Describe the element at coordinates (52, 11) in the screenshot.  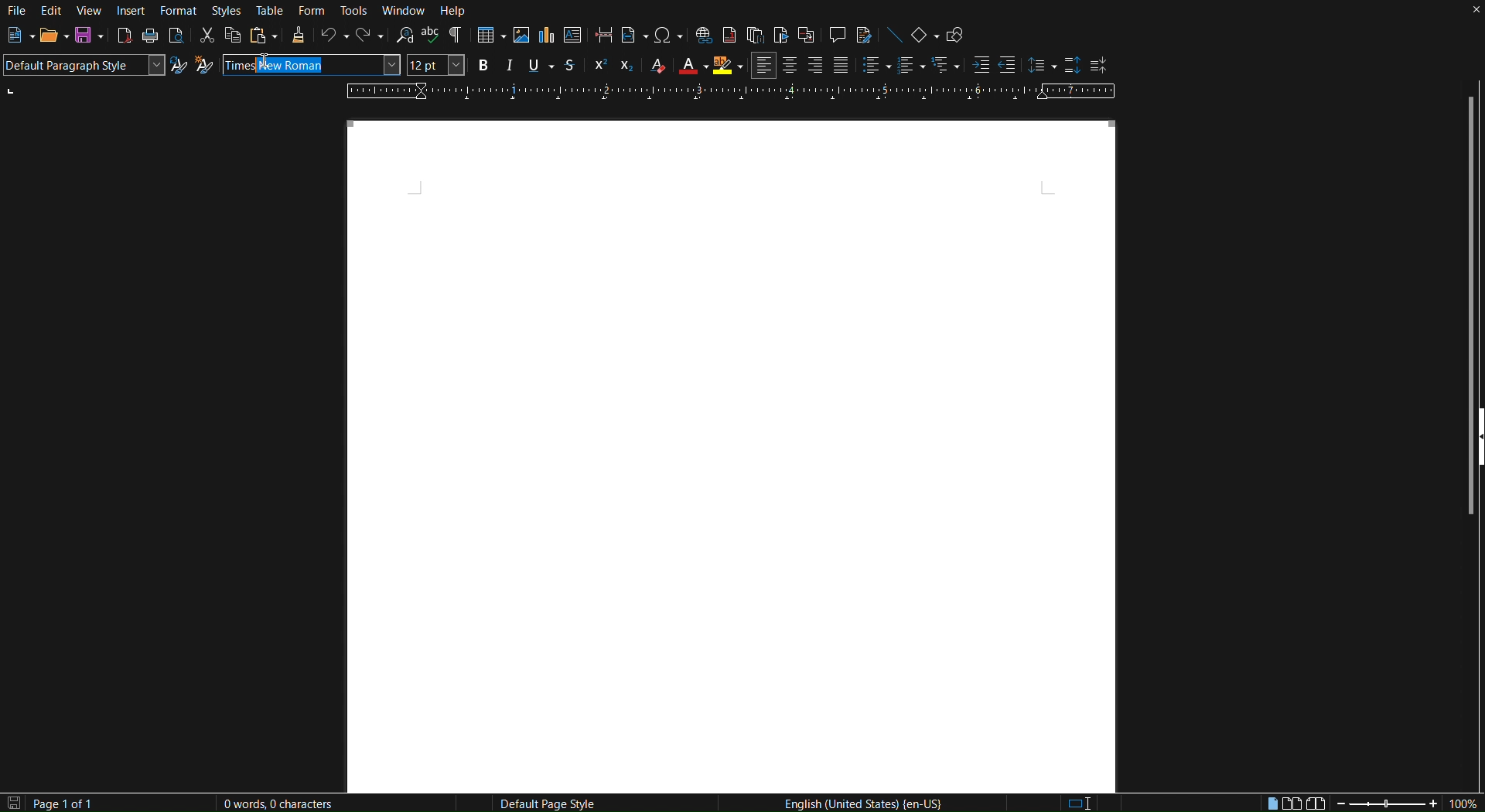
I see `Edit ` at that location.